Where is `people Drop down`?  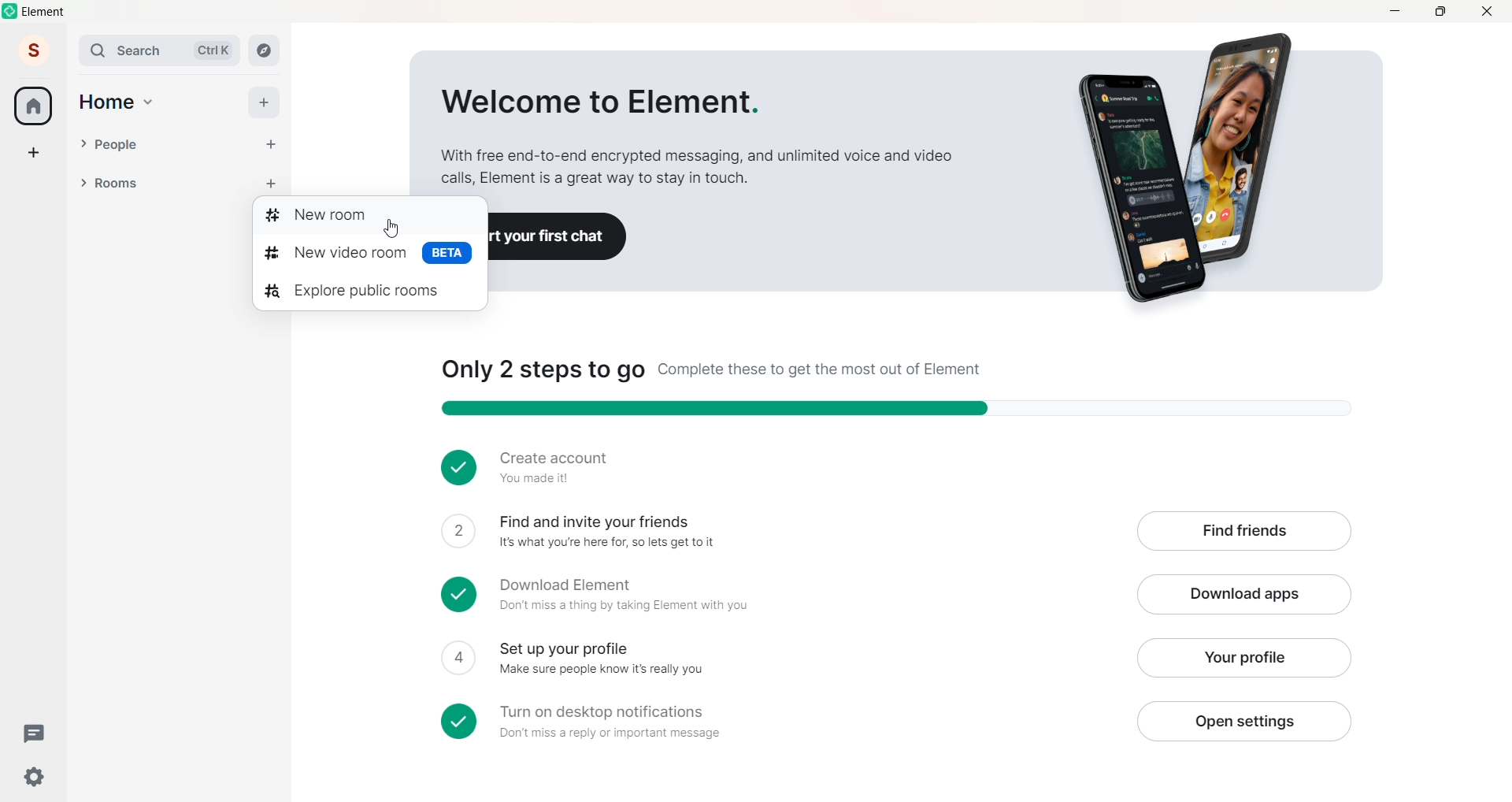
people Drop down is located at coordinates (83, 143).